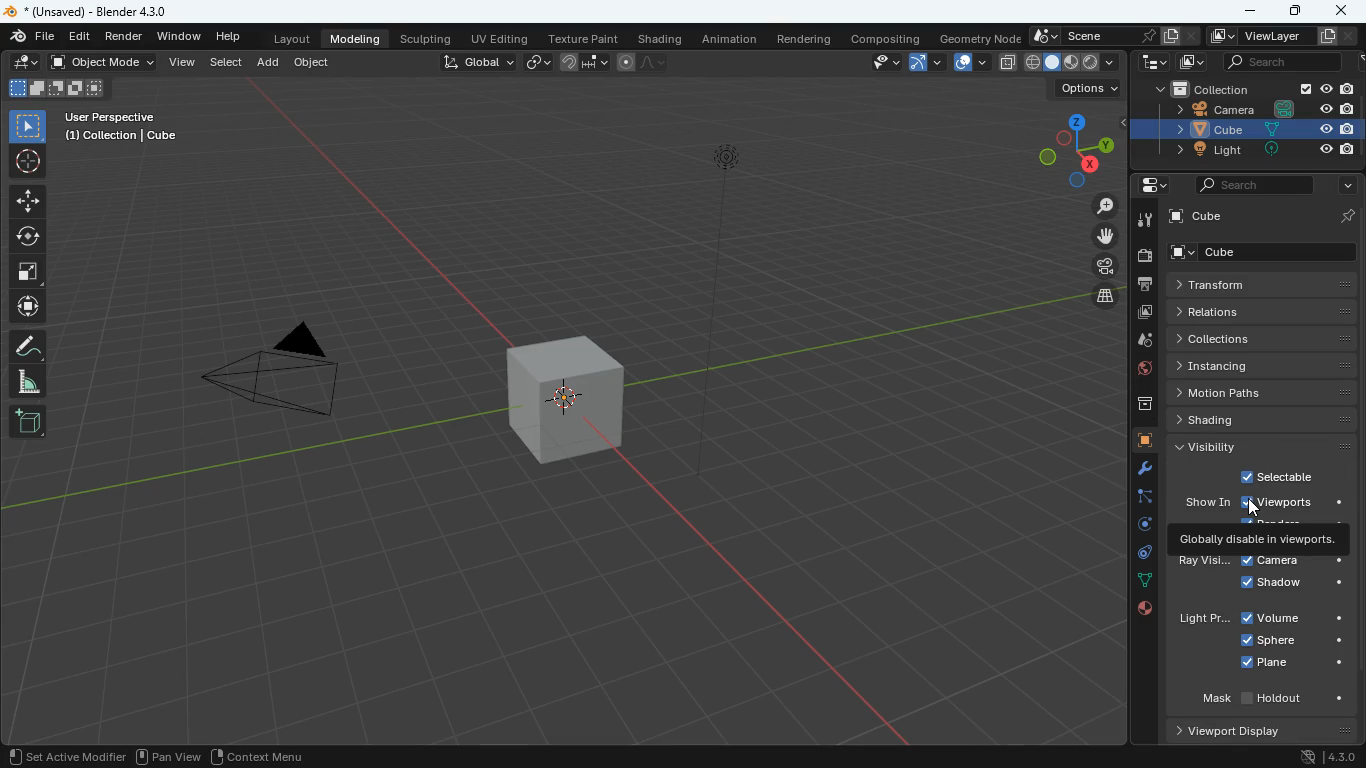  What do you see at coordinates (1196, 219) in the screenshot?
I see `cube` at bounding box center [1196, 219].